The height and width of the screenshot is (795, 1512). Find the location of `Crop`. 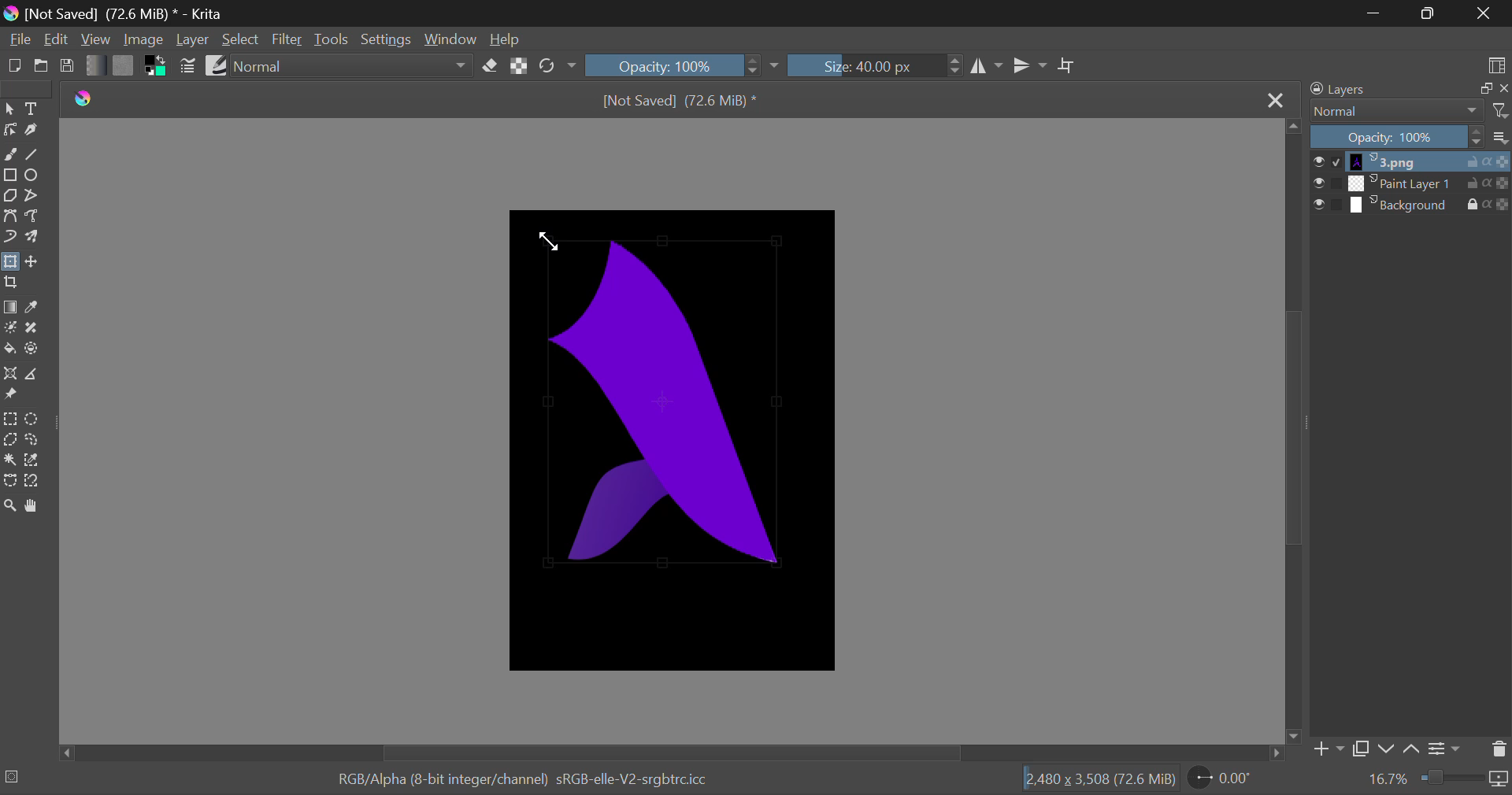

Crop is located at coordinates (13, 283).